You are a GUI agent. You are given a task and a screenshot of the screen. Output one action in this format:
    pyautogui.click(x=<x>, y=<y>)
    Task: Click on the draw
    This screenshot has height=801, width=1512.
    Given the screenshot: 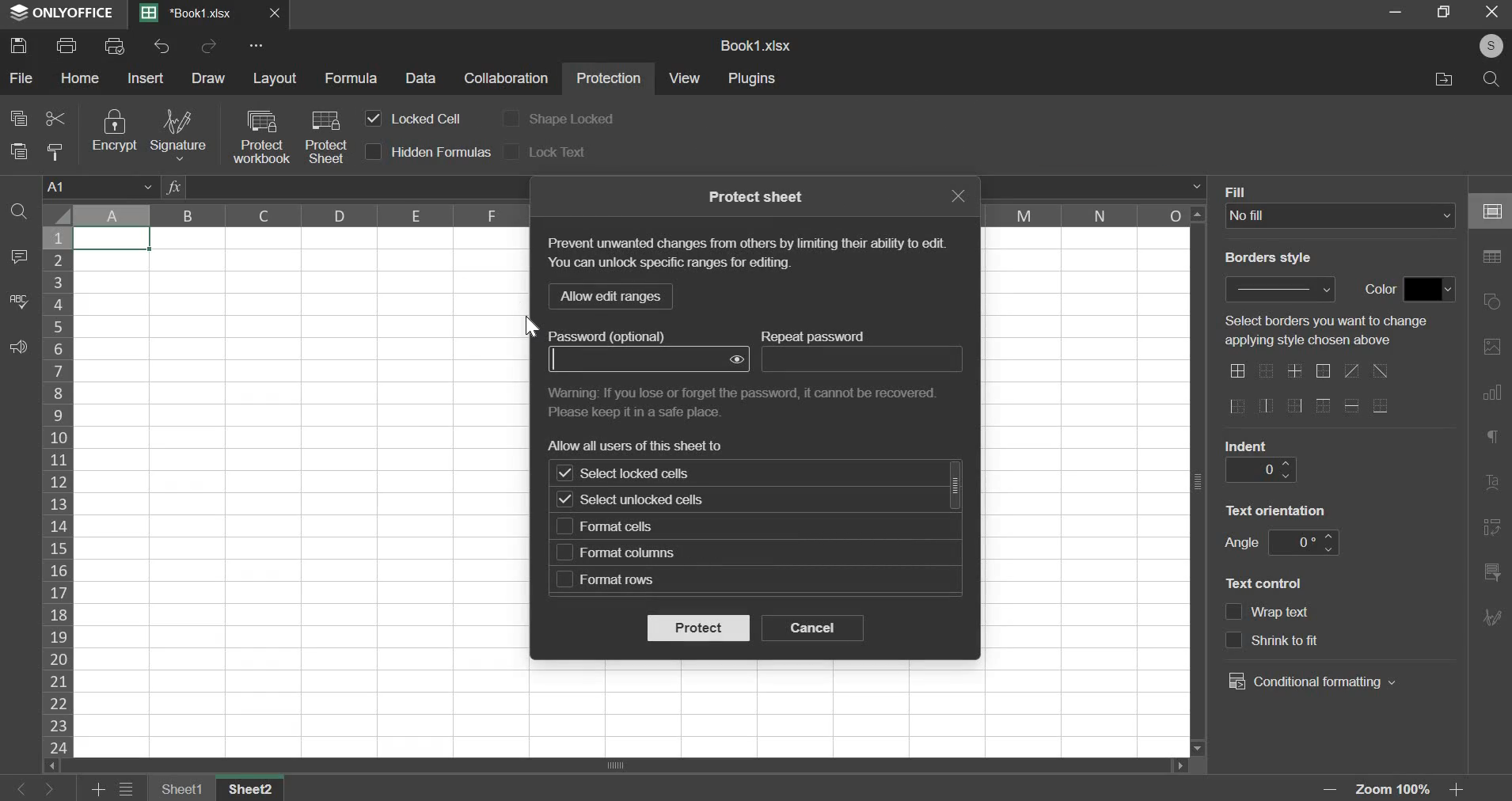 What is the action you would take?
    pyautogui.click(x=208, y=78)
    